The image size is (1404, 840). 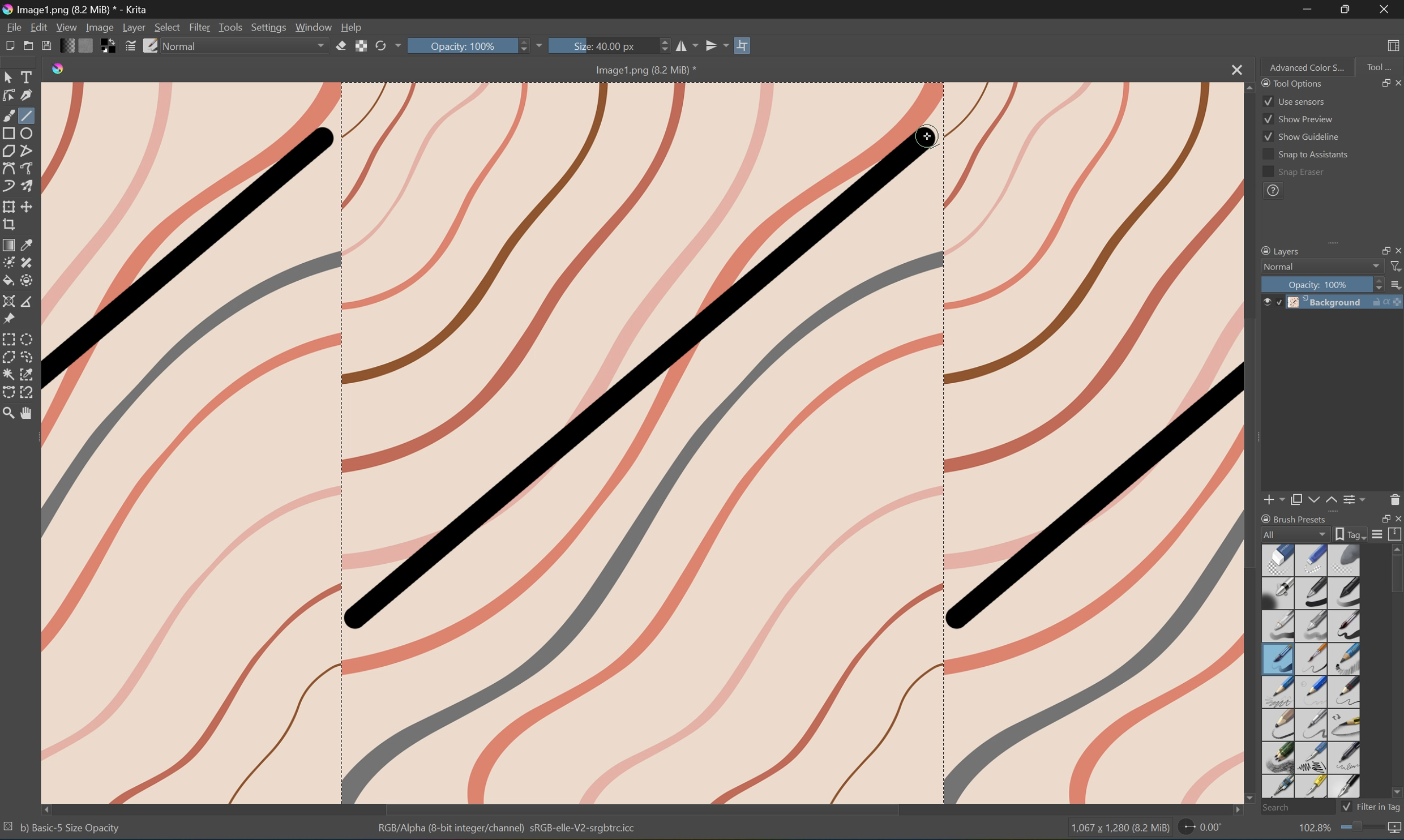 I want to click on Rectangle tool, so click(x=9, y=133).